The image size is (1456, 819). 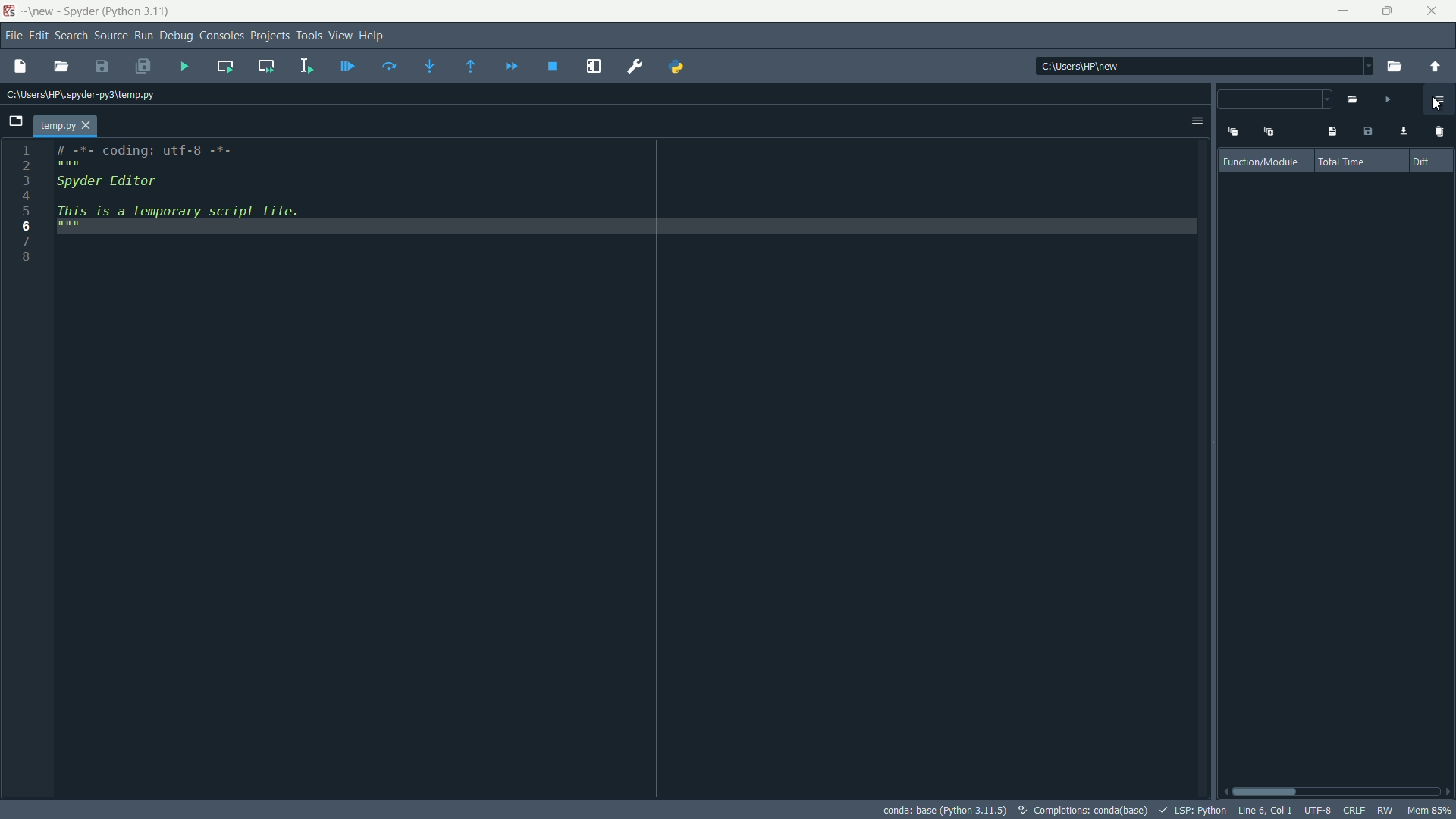 What do you see at coordinates (1439, 100) in the screenshot?
I see `profiler pane settings` at bounding box center [1439, 100].